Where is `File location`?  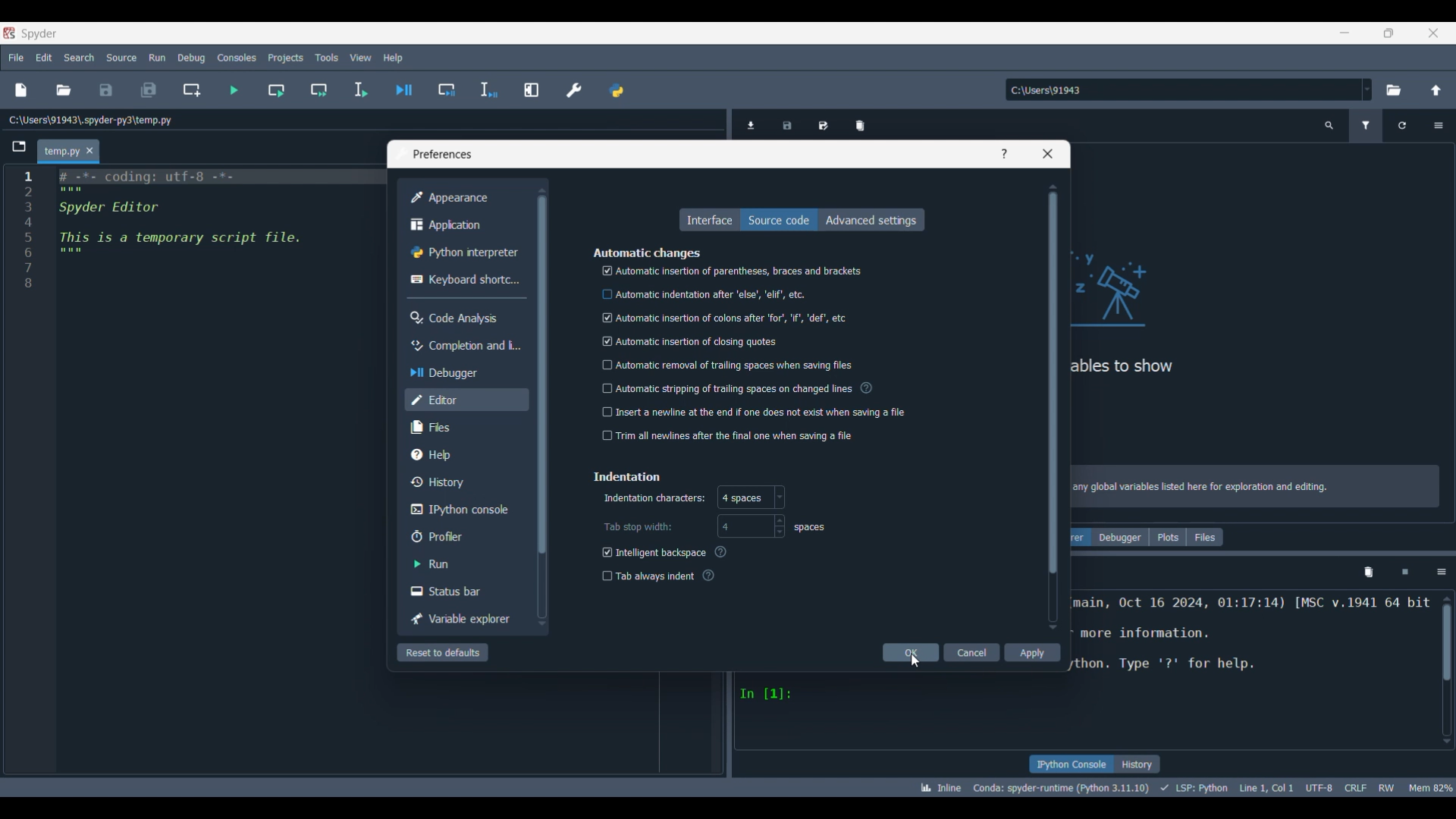 File location is located at coordinates (91, 120).